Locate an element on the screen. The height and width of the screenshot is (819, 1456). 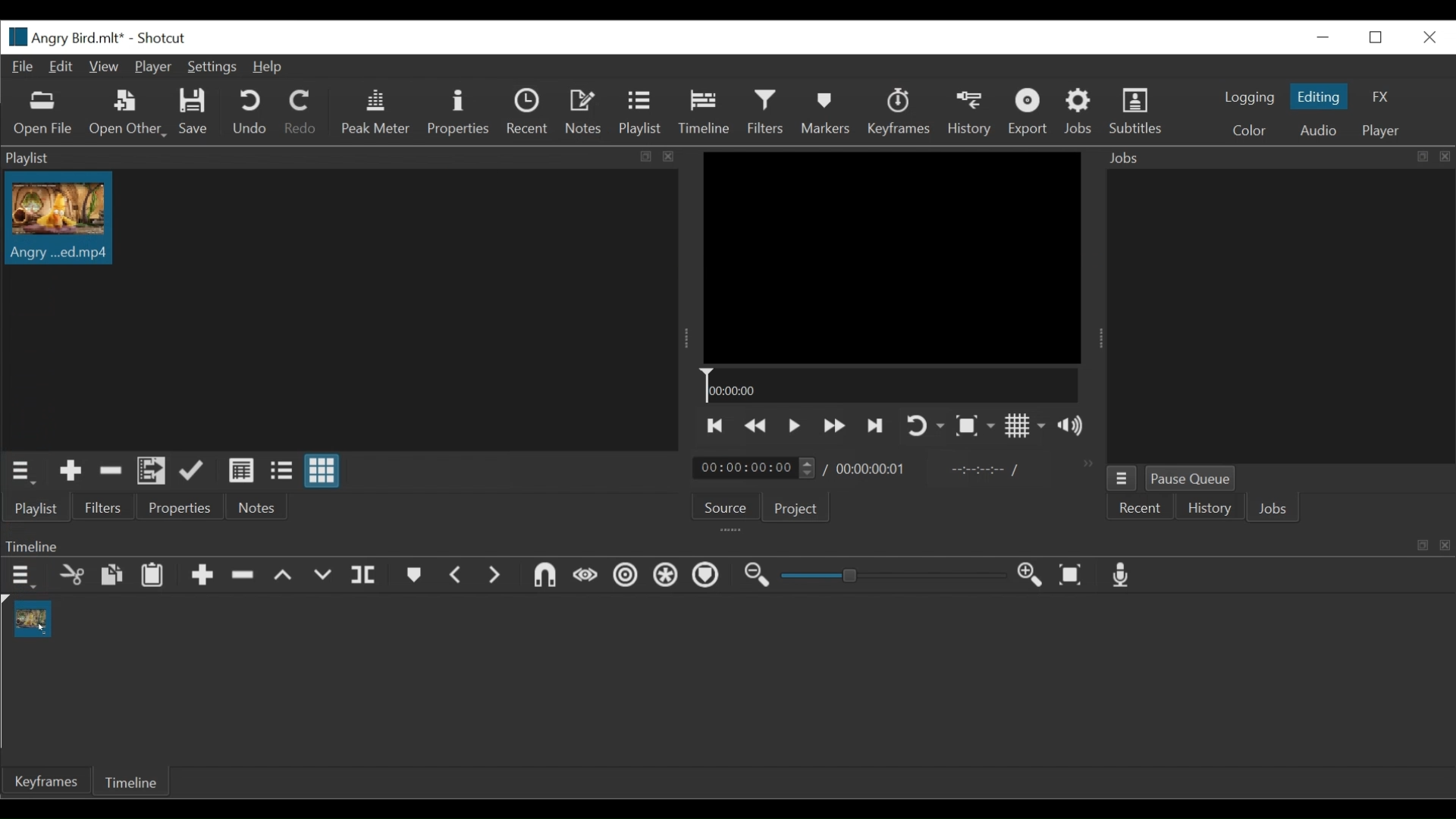
FX is located at coordinates (1379, 98).